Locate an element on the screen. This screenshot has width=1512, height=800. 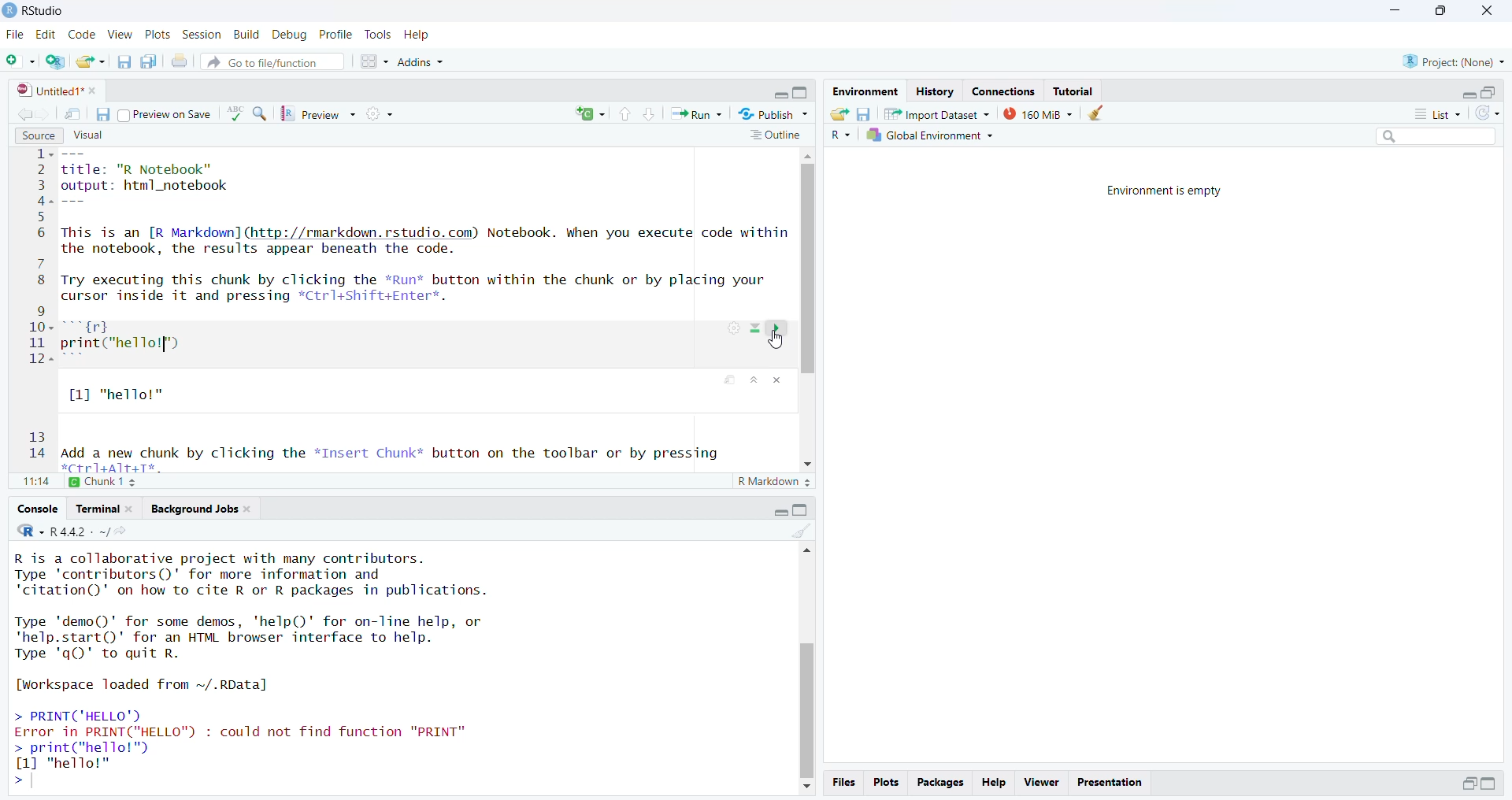
preview on save is located at coordinates (166, 116).